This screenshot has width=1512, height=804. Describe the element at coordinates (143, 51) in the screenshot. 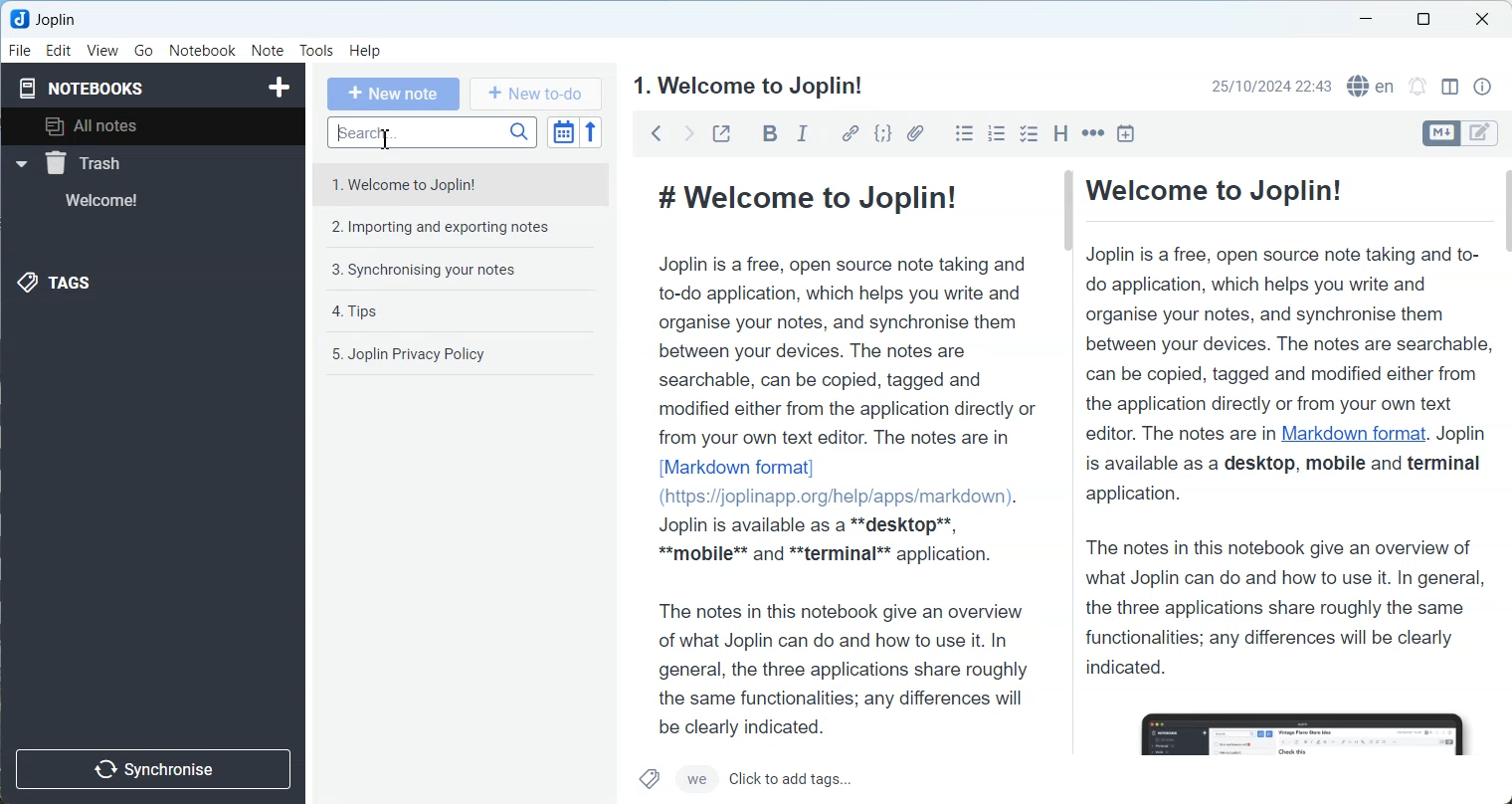

I see `Go` at that location.